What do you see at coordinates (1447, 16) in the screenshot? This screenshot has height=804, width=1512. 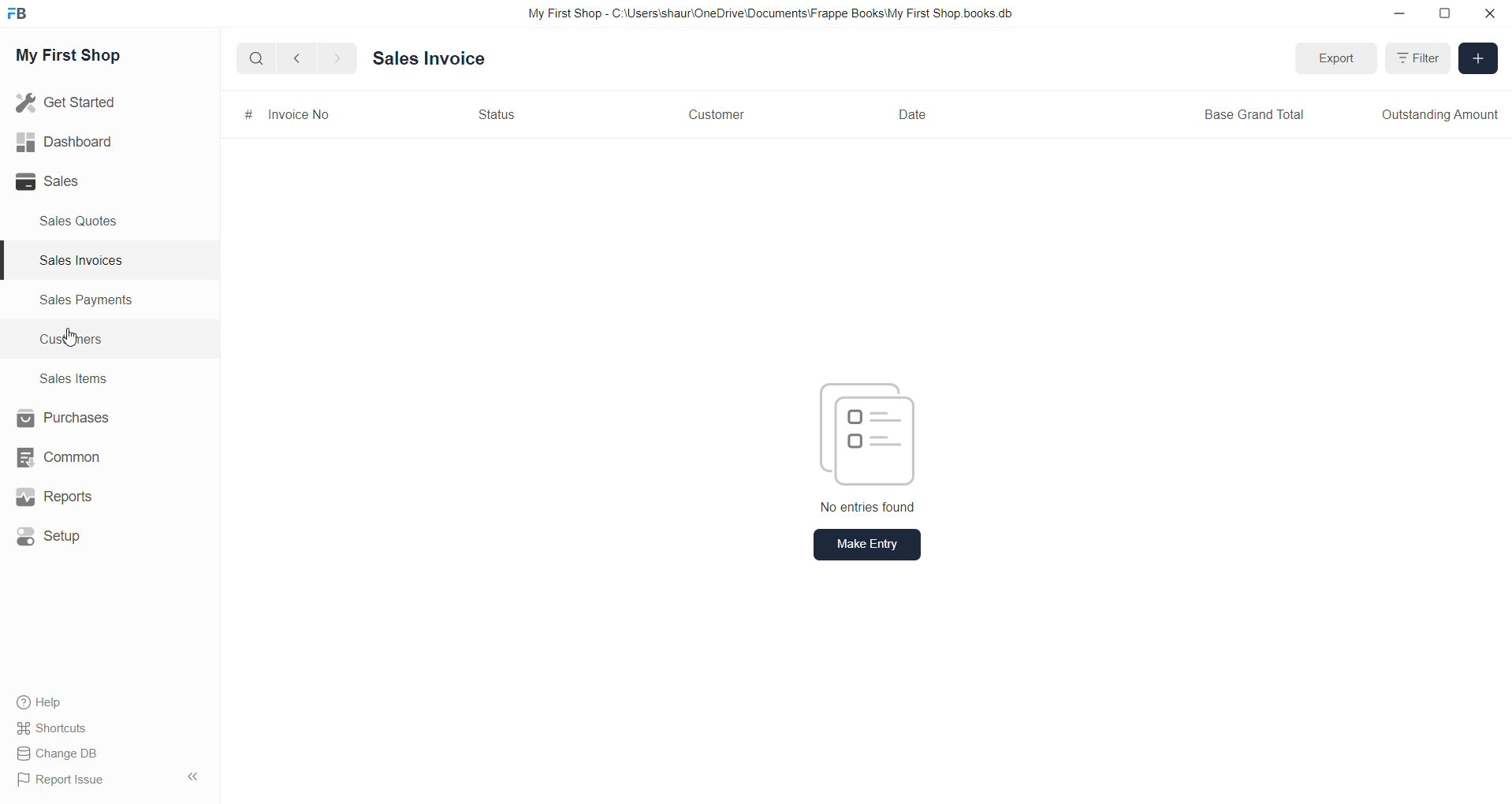 I see `resize` at bounding box center [1447, 16].